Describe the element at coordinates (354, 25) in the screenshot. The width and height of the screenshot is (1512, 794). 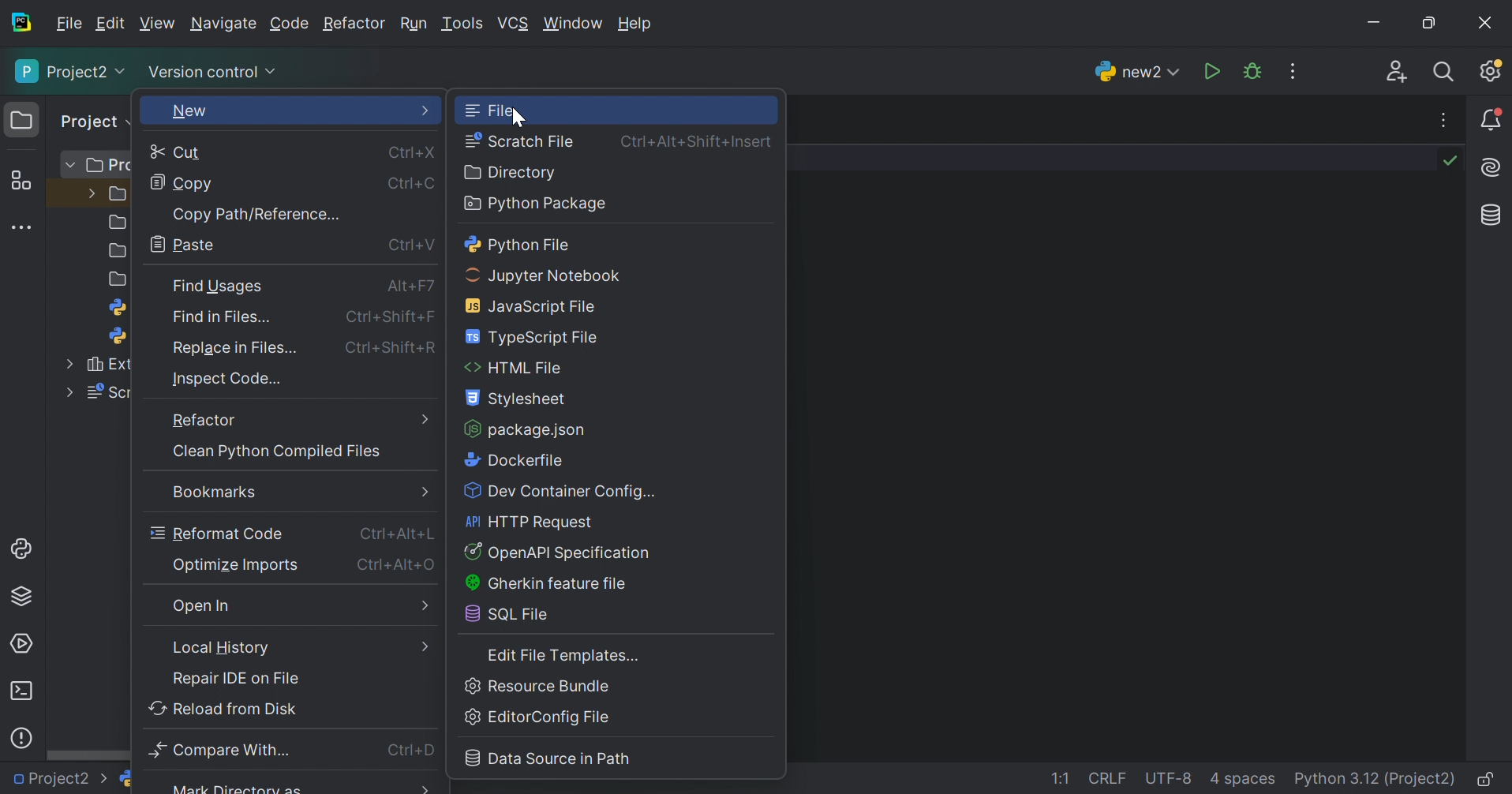
I see `Refactor` at that location.